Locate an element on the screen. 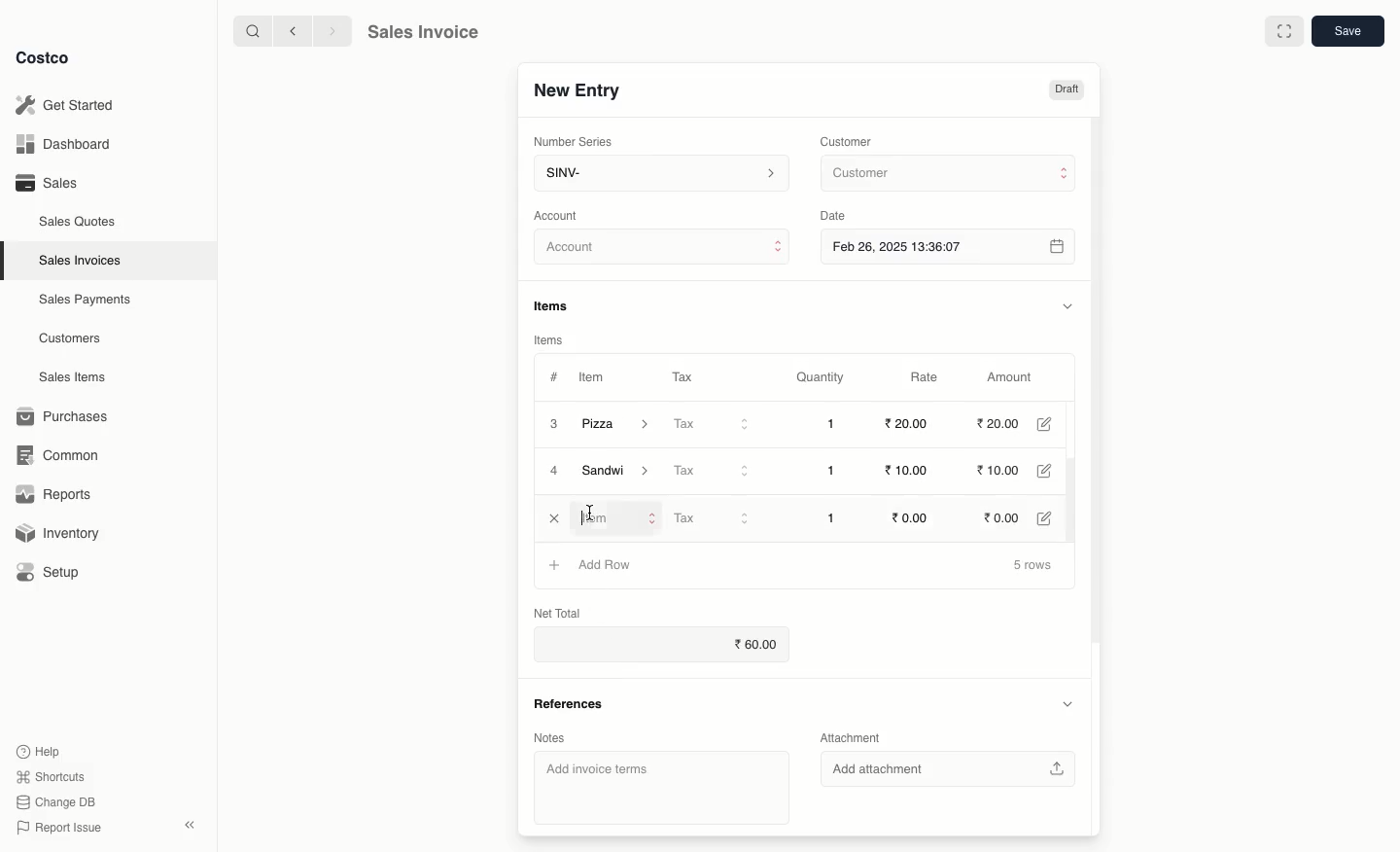 The width and height of the screenshot is (1400, 852). Edit is located at coordinates (1052, 424).